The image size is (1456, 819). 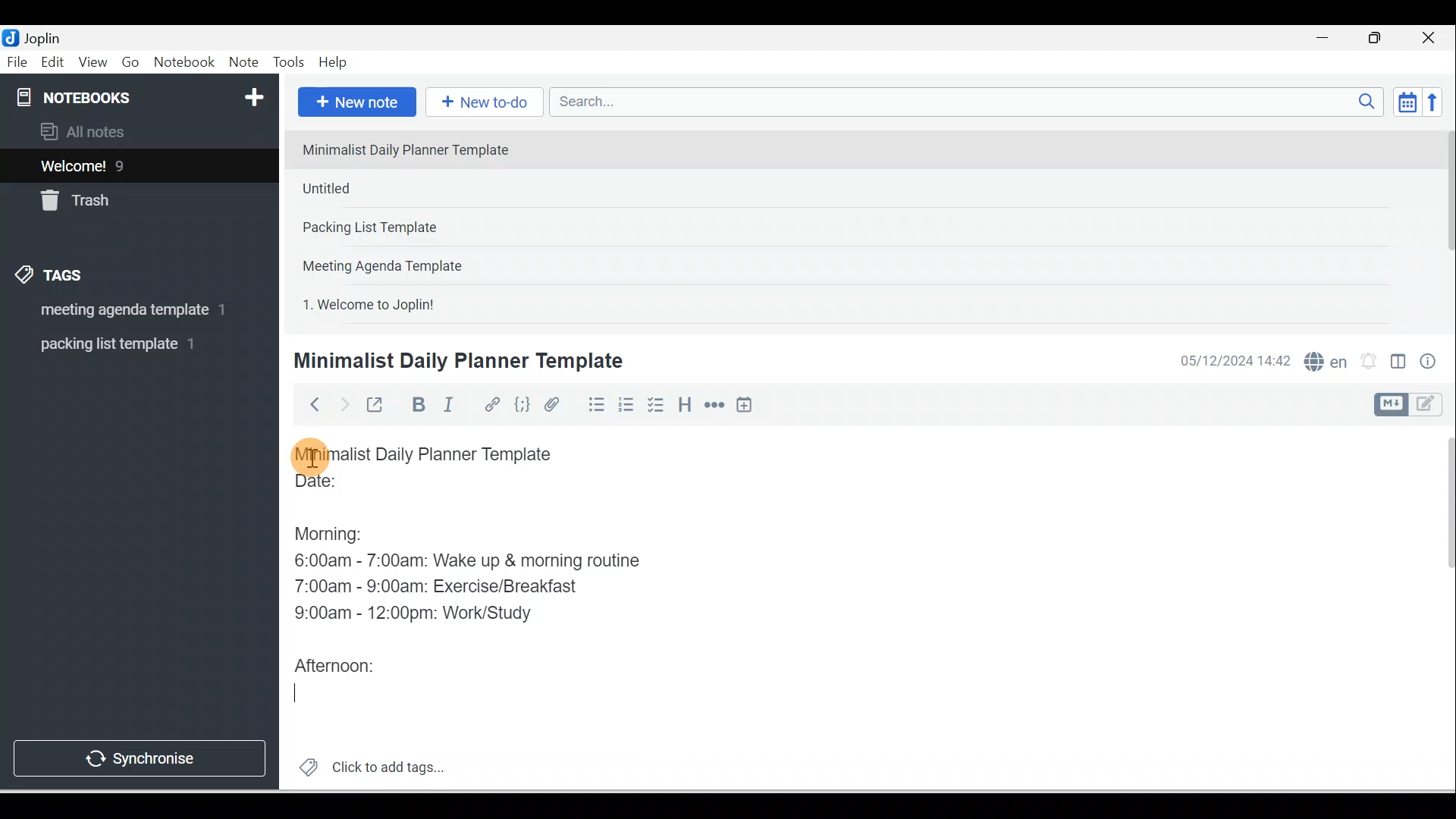 I want to click on Heading, so click(x=684, y=403).